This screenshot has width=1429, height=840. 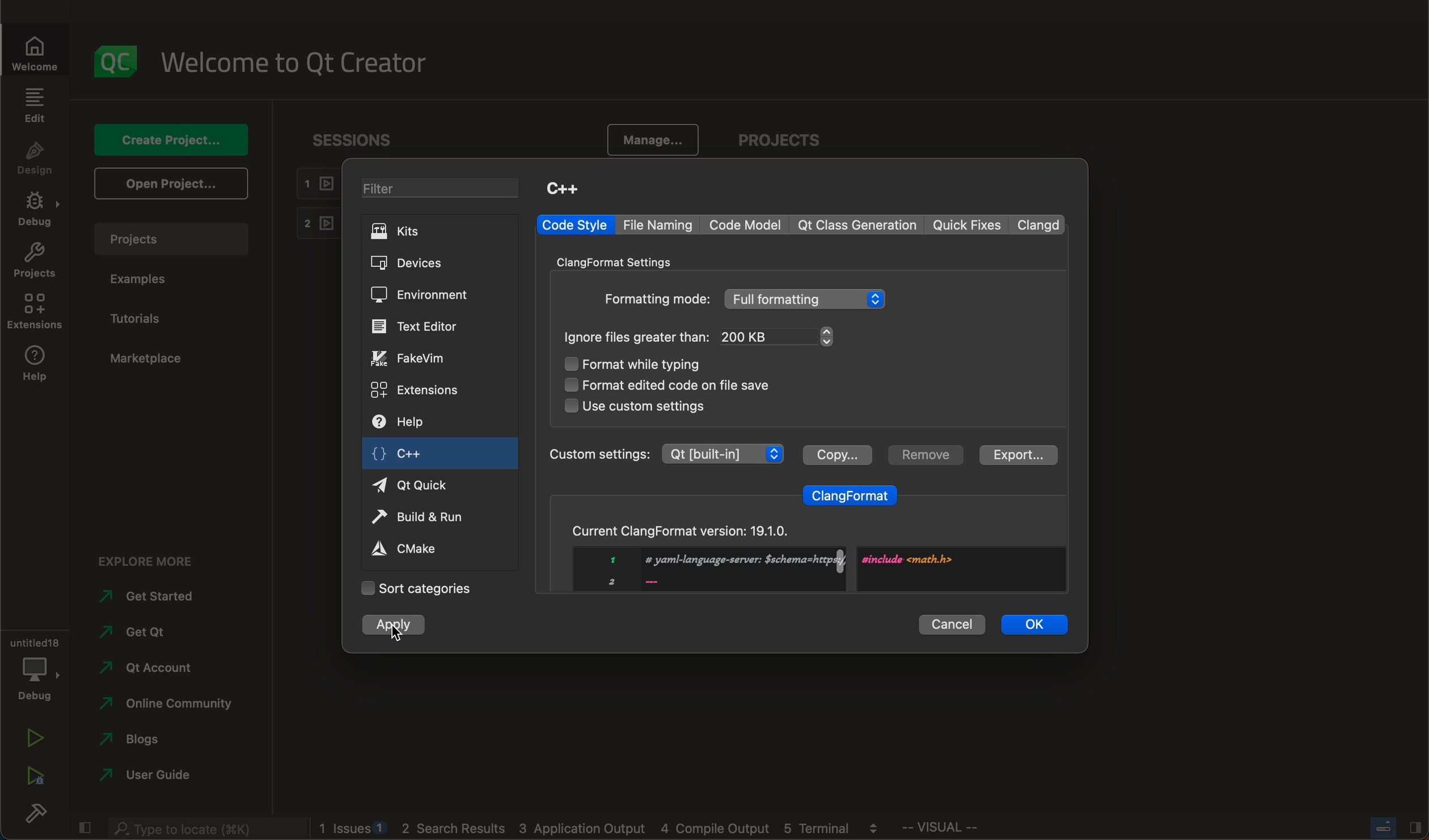 I want to click on fixes, so click(x=969, y=226).